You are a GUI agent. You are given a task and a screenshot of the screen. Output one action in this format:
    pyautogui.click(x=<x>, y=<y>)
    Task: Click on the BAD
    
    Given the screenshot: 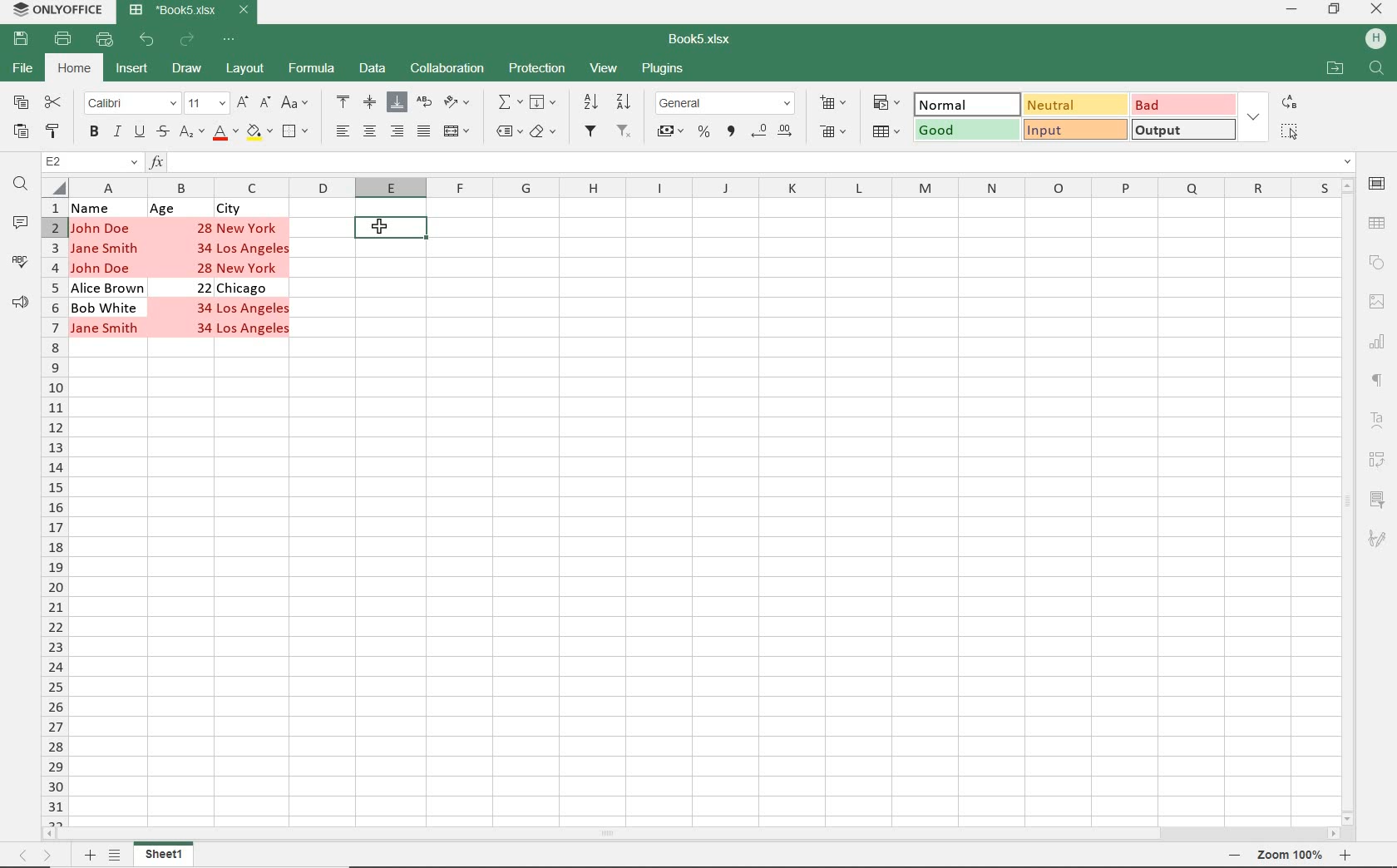 What is the action you would take?
    pyautogui.click(x=1183, y=104)
    